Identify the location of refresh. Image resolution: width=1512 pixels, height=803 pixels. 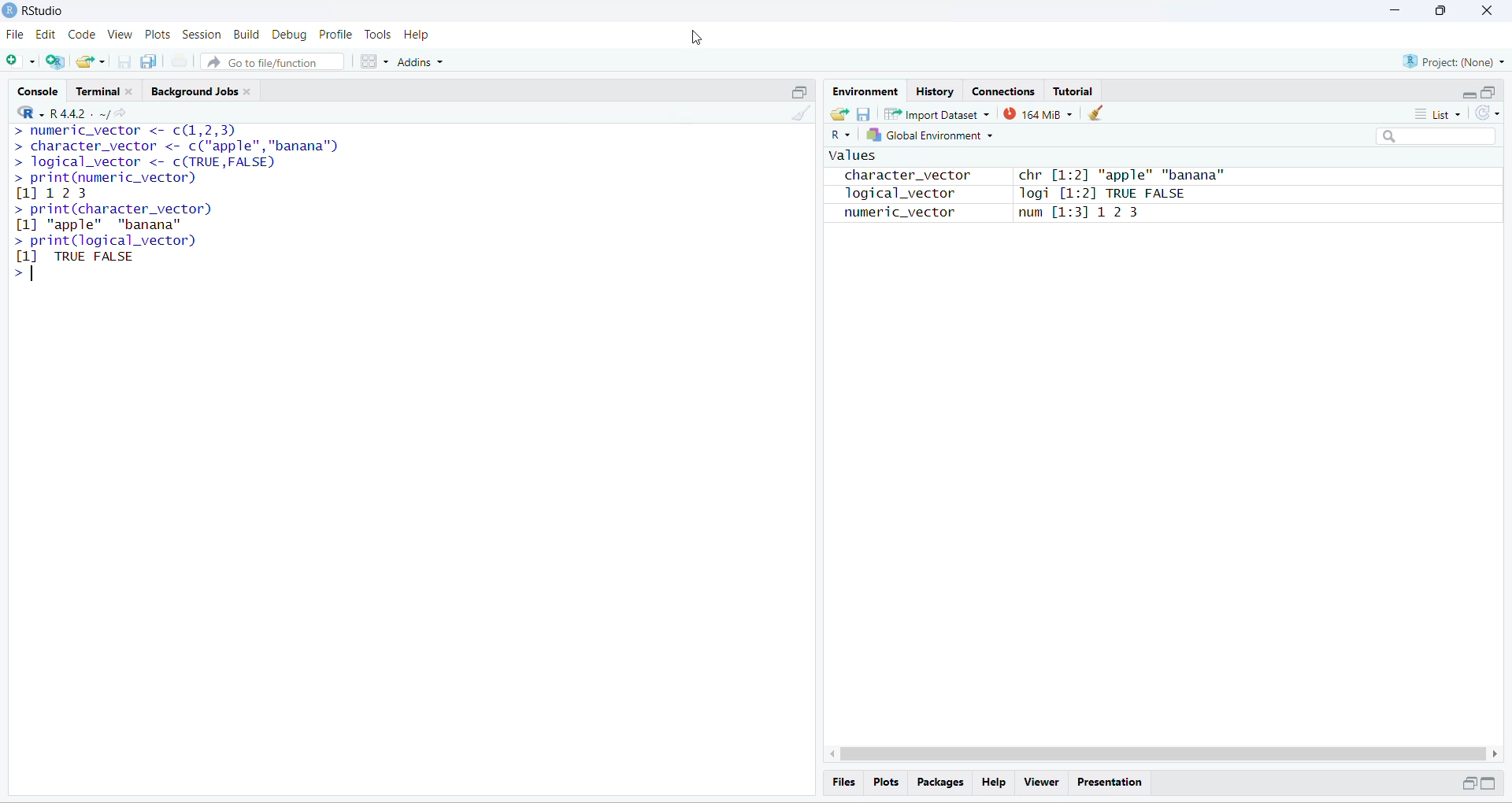
(1488, 113).